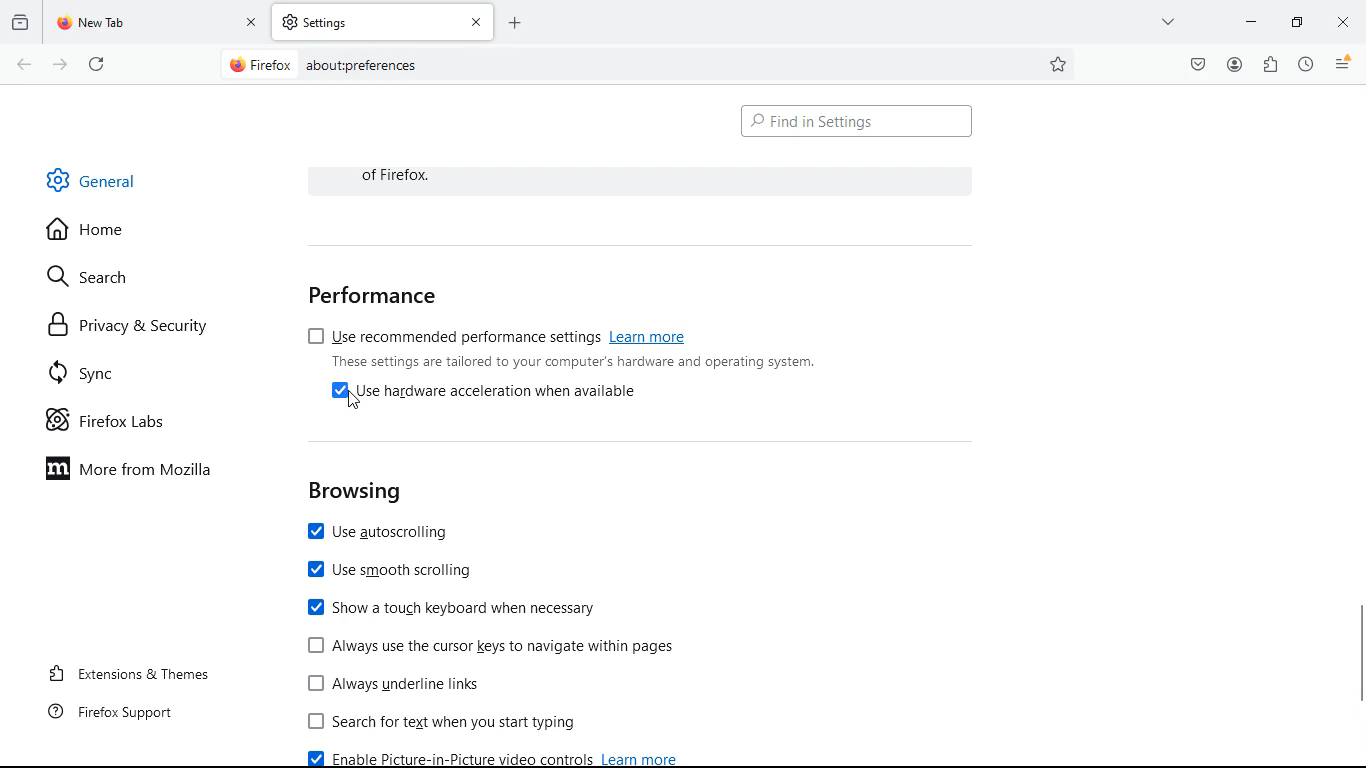 Image resolution: width=1366 pixels, height=768 pixels. I want to click on use smooth scrolling, so click(394, 568).